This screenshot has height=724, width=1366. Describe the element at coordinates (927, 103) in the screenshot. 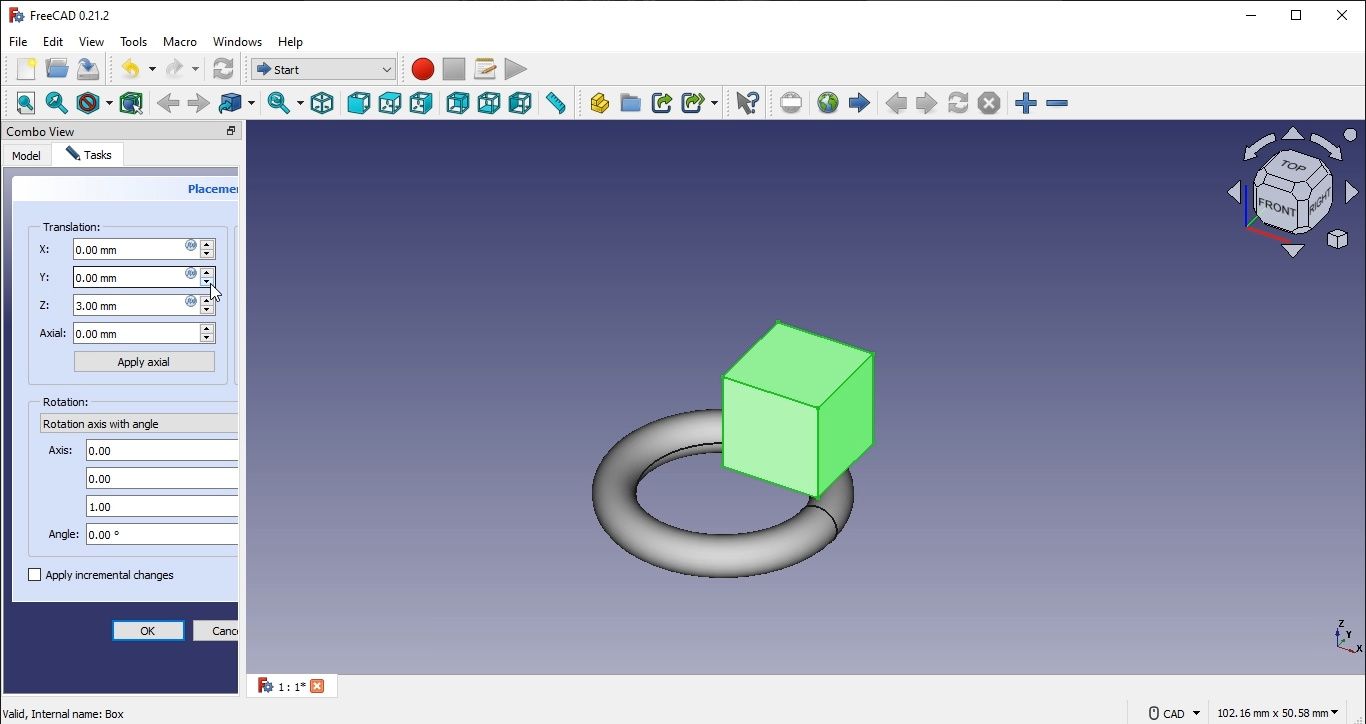

I see `next page` at that location.